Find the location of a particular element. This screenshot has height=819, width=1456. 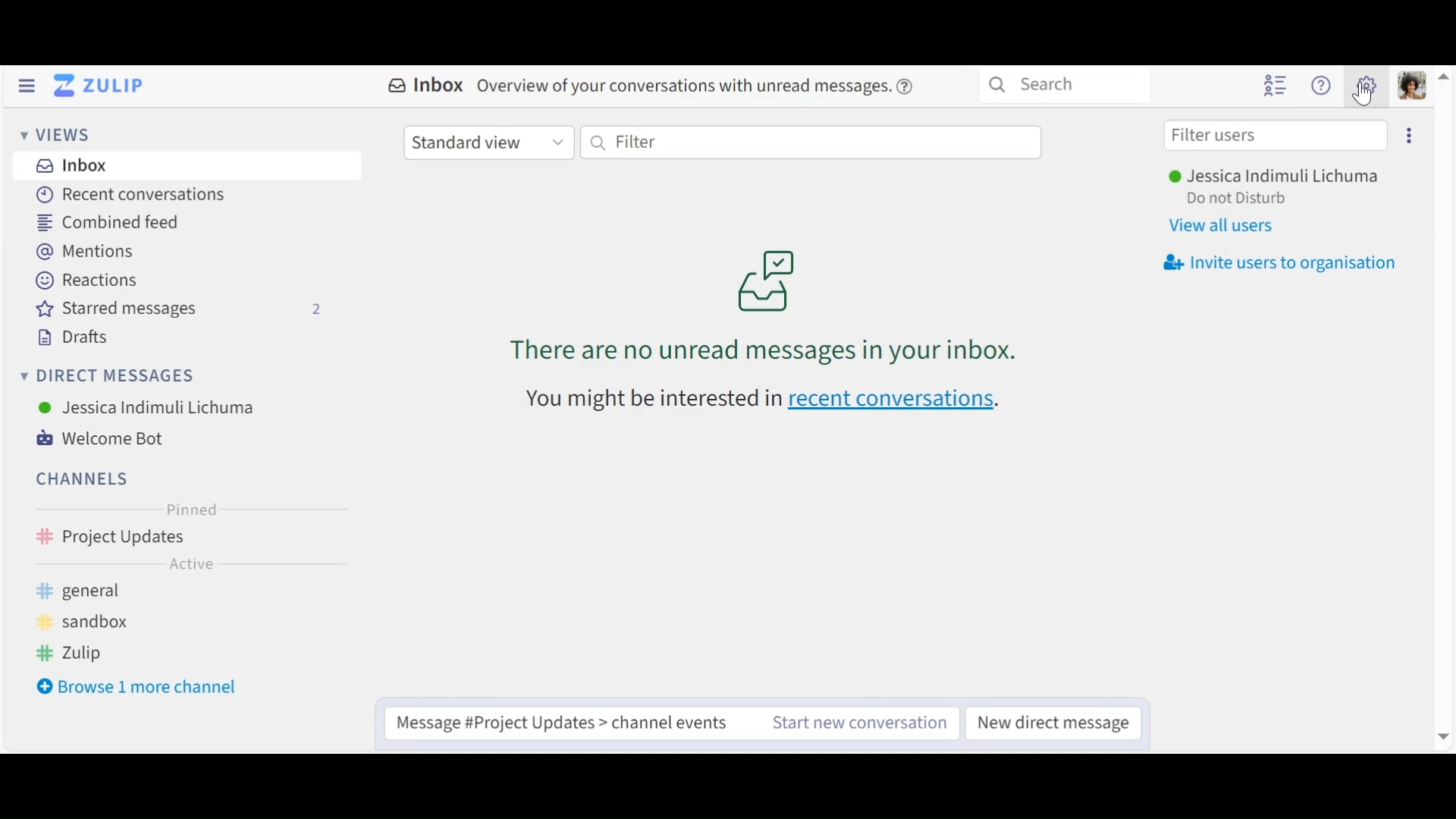

Compose message is located at coordinates (570, 722).